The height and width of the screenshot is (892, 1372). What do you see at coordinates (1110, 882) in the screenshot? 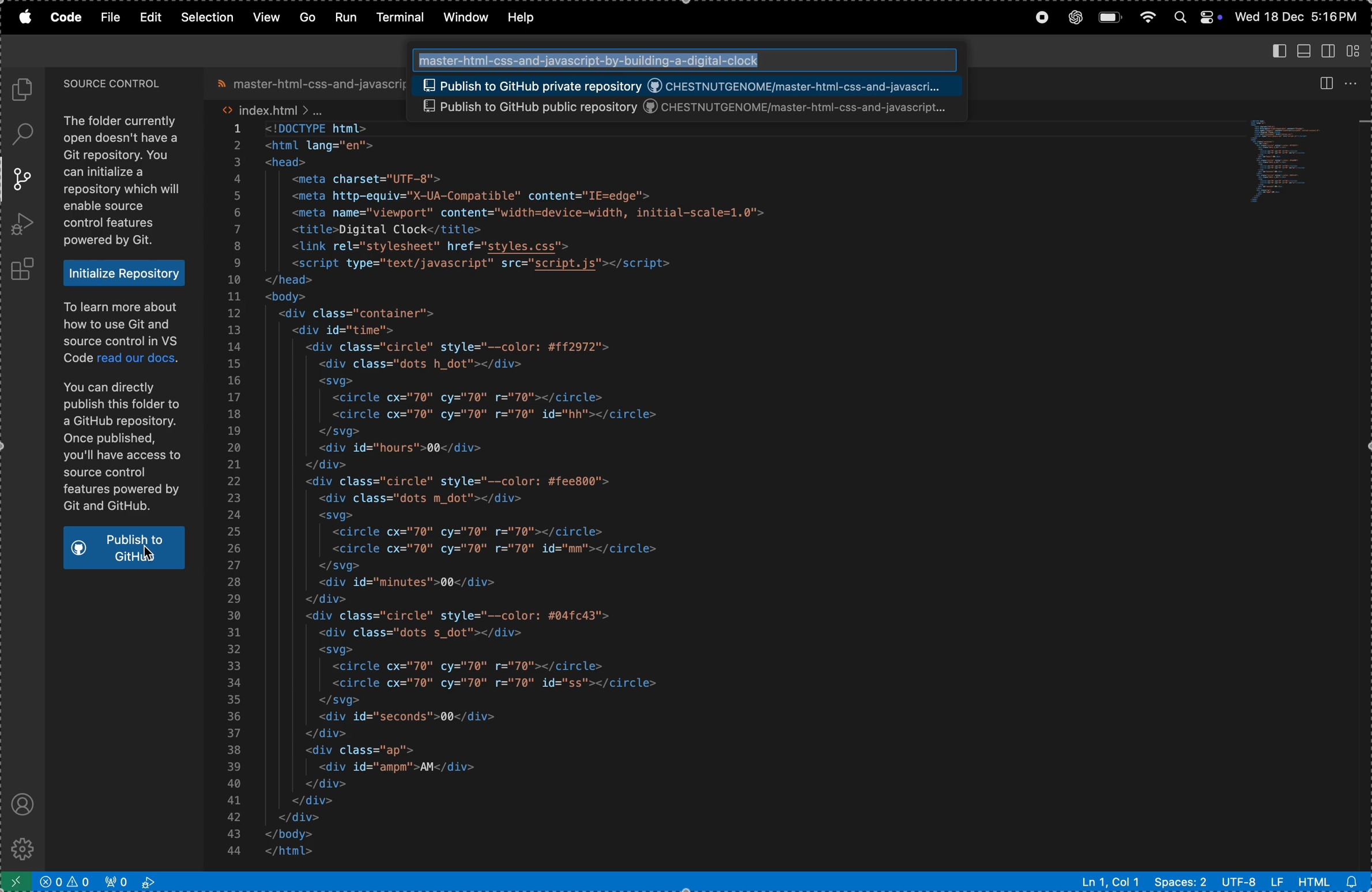
I see `Ln1 col 2` at bounding box center [1110, 882].